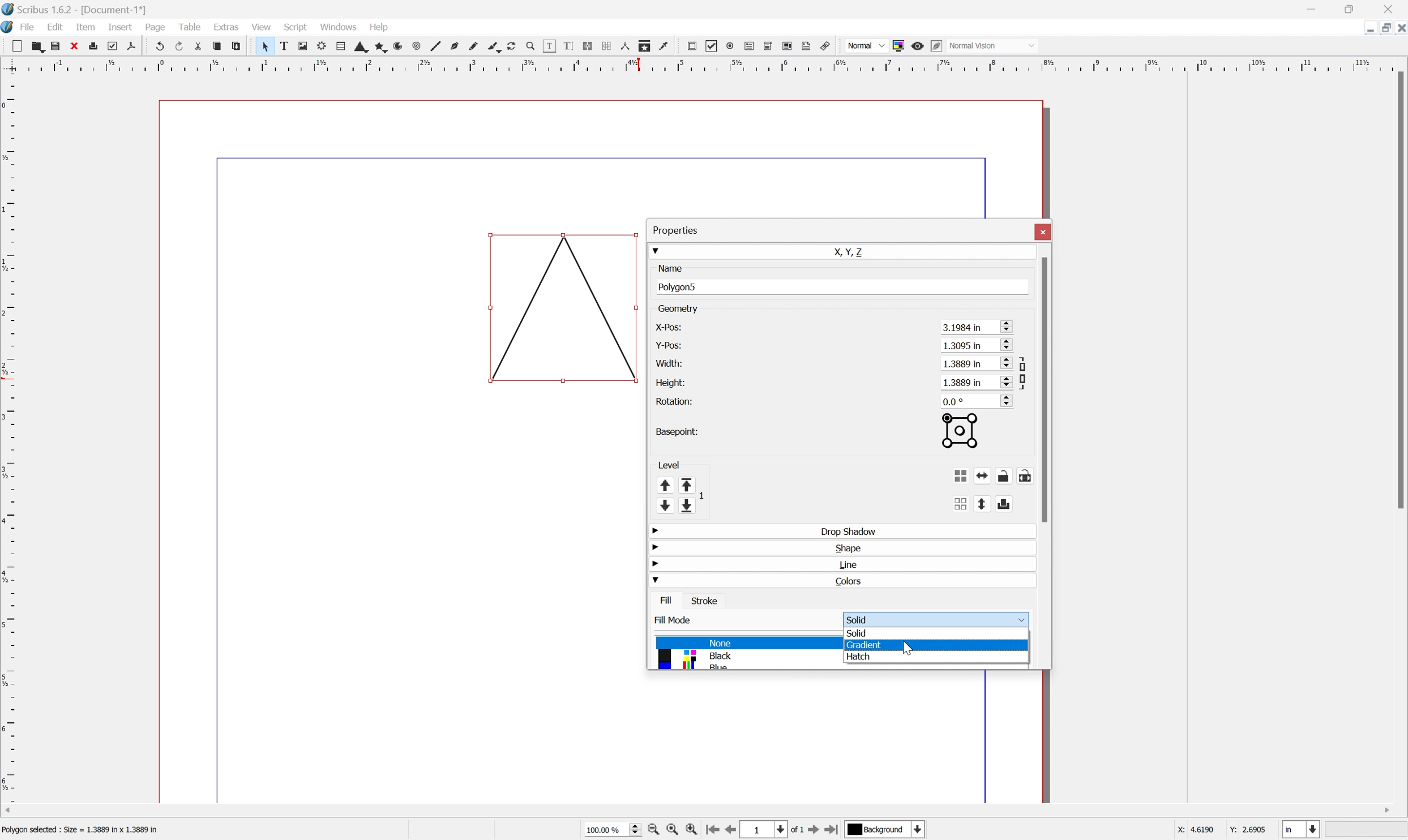 The height and width of the screenshot is (840, 1408). I want to click on Link Text frames, so click(585, 46).